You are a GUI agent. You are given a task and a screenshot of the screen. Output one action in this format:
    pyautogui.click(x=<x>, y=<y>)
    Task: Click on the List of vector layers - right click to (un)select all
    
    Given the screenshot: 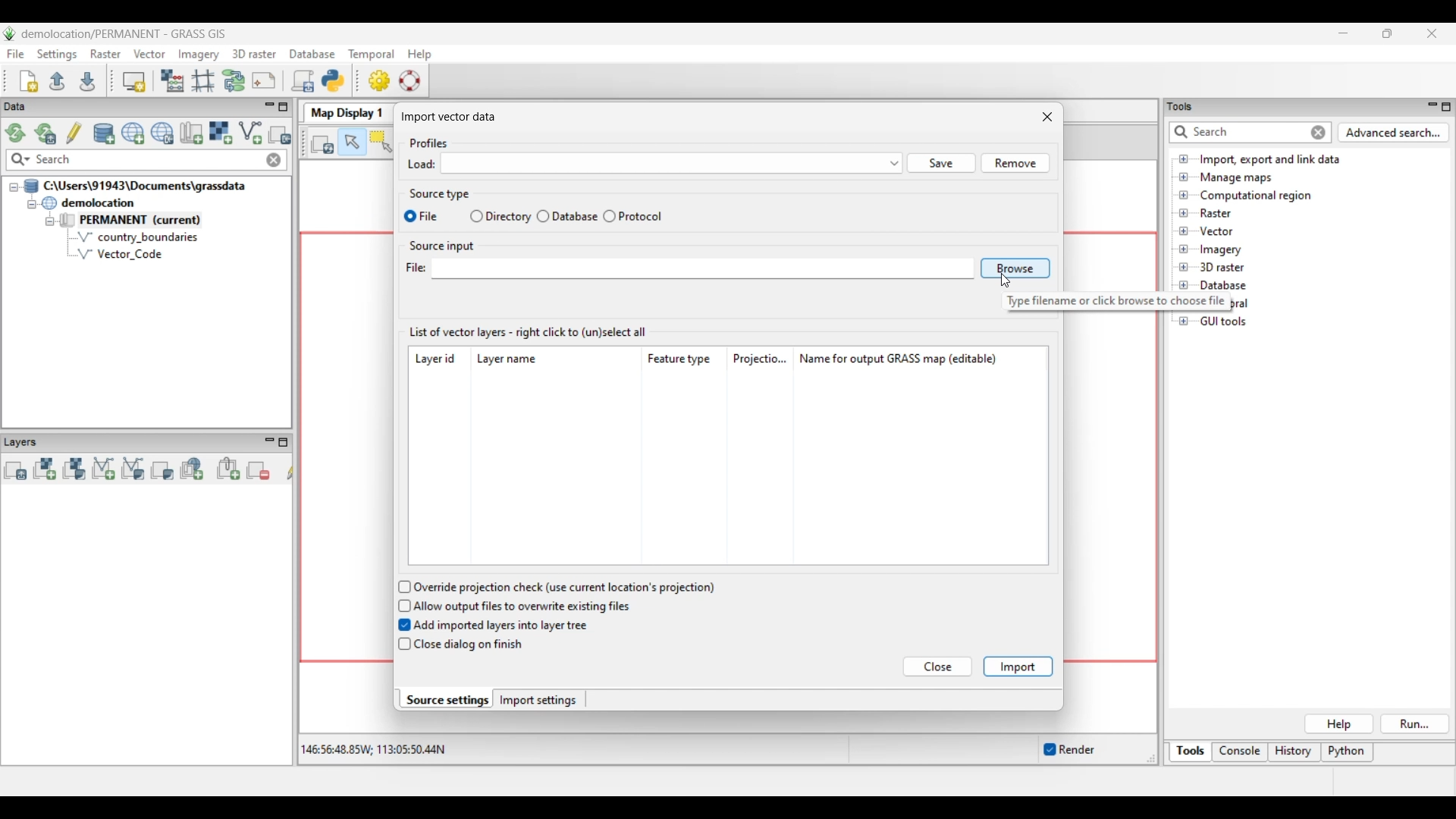 What is the action you would take?
    pyautogui.click(x=532, y=331)
    